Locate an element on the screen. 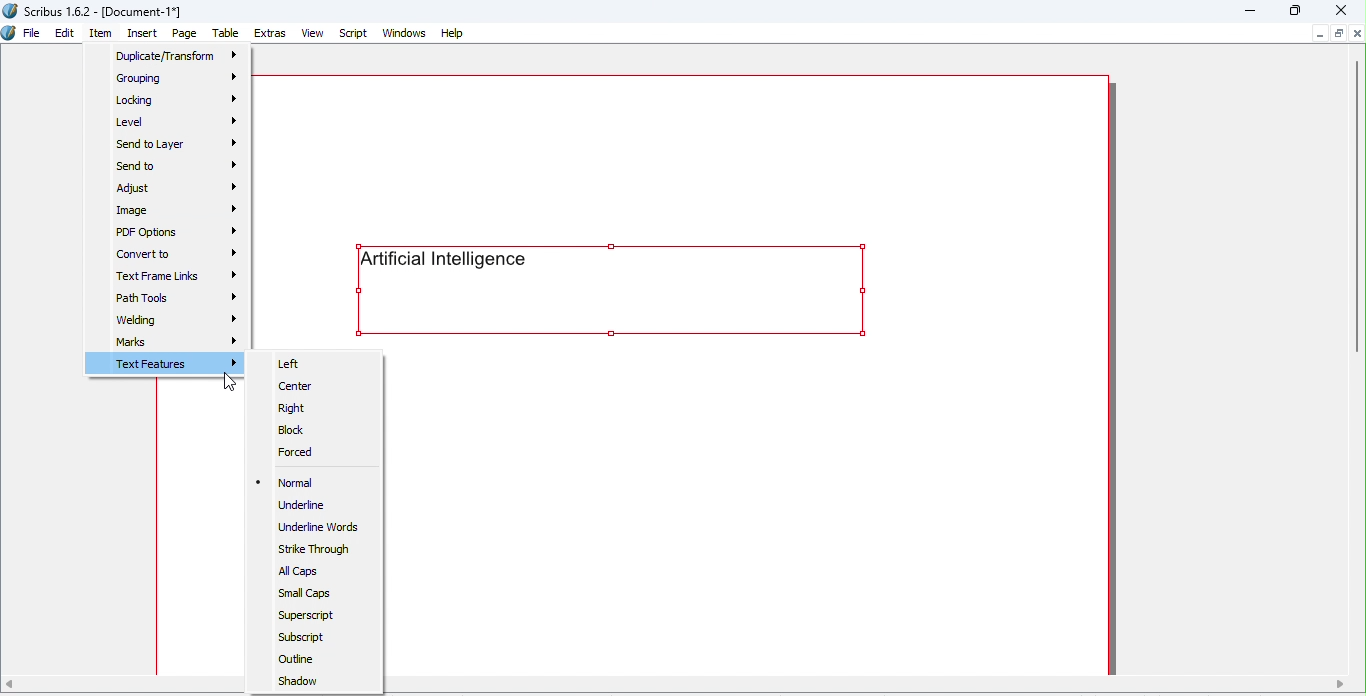 This screenshot has width=1366, height=696. Normal is located at coordinates (292, 483).